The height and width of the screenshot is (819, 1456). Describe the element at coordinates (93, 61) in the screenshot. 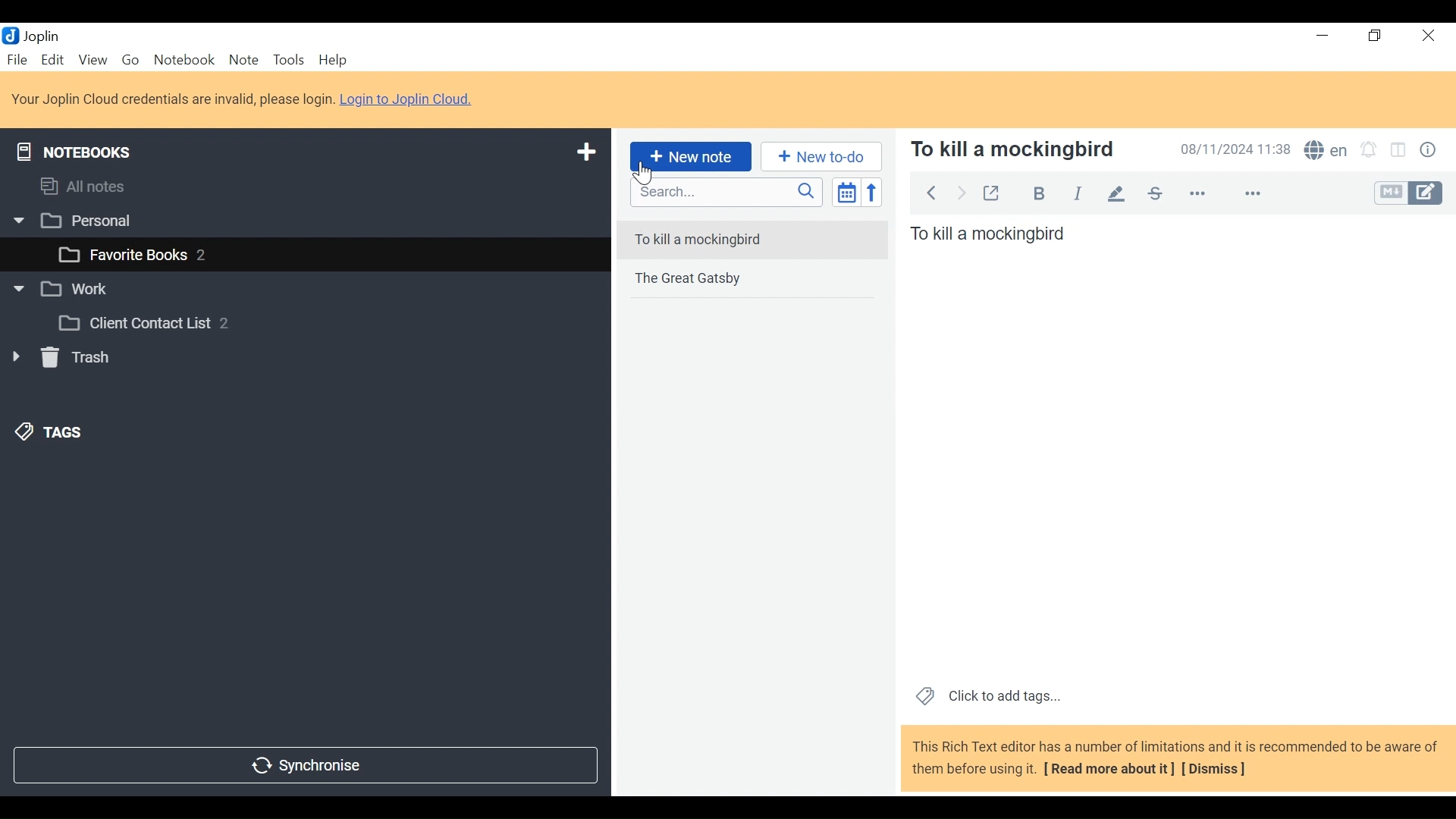

I see `View` at that location.